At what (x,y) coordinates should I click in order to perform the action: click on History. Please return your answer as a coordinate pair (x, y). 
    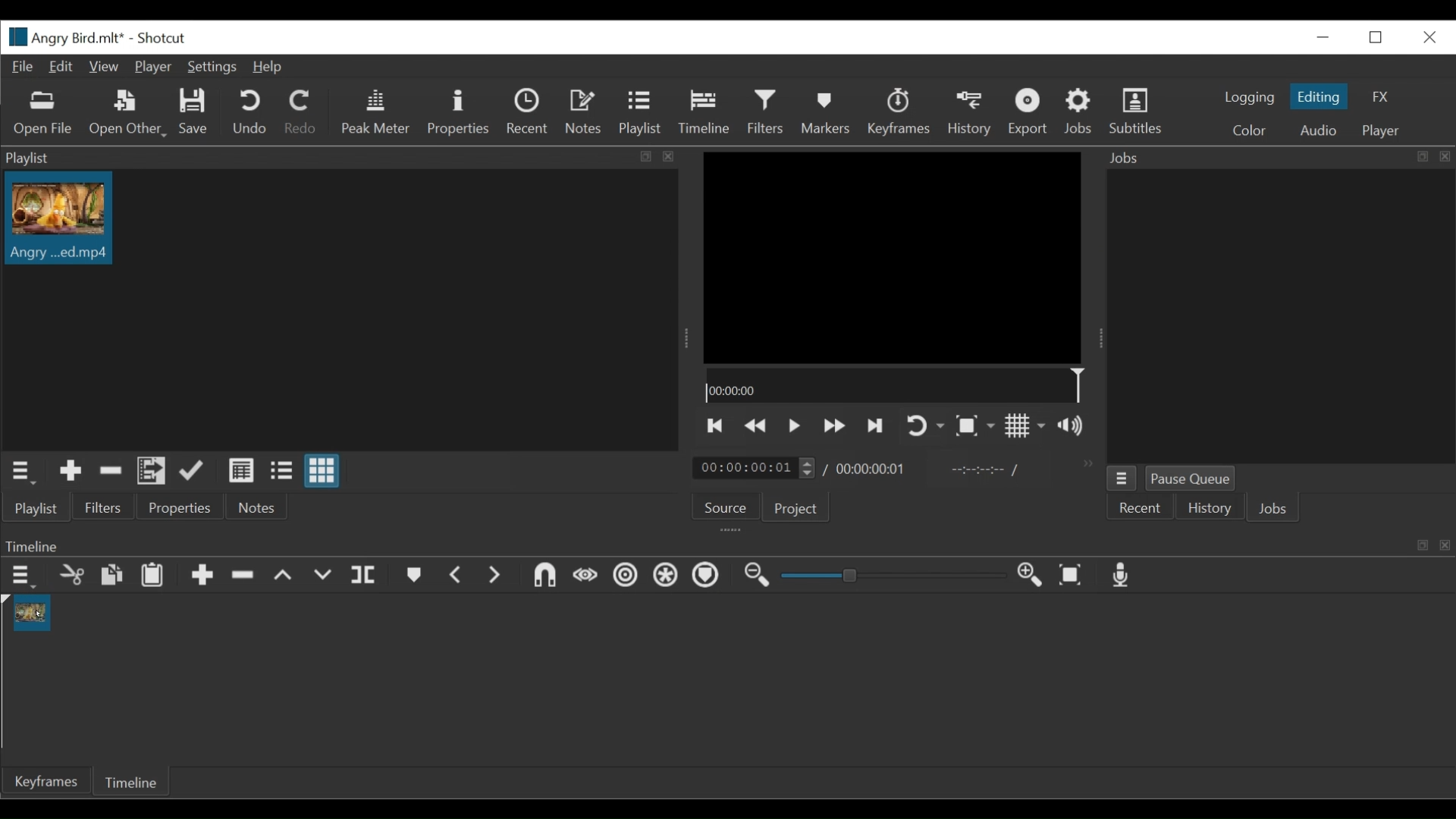
    Looking at the image, I should click on (1210, 510).